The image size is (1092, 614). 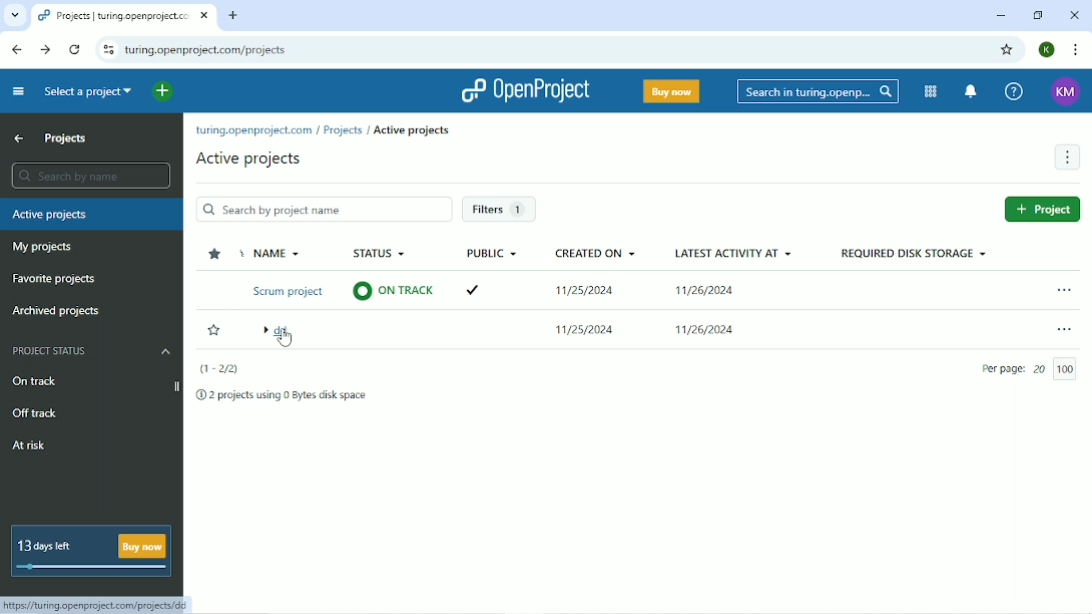 I want to click on Minimize, so click(x=1001, y=15).